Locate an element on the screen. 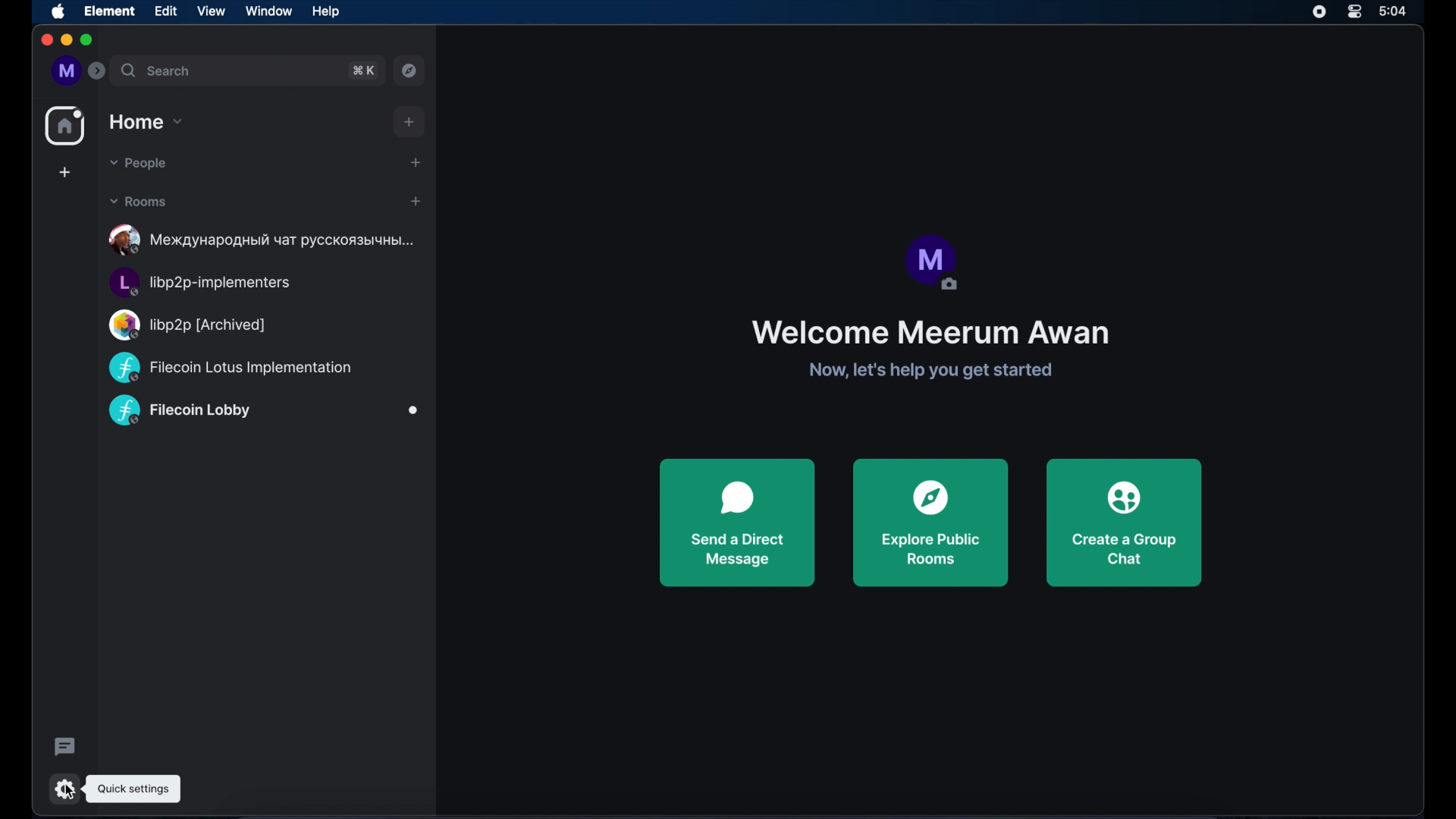 This screenshot has height=819, width=1456. add room is located at coordinates (416, 202).